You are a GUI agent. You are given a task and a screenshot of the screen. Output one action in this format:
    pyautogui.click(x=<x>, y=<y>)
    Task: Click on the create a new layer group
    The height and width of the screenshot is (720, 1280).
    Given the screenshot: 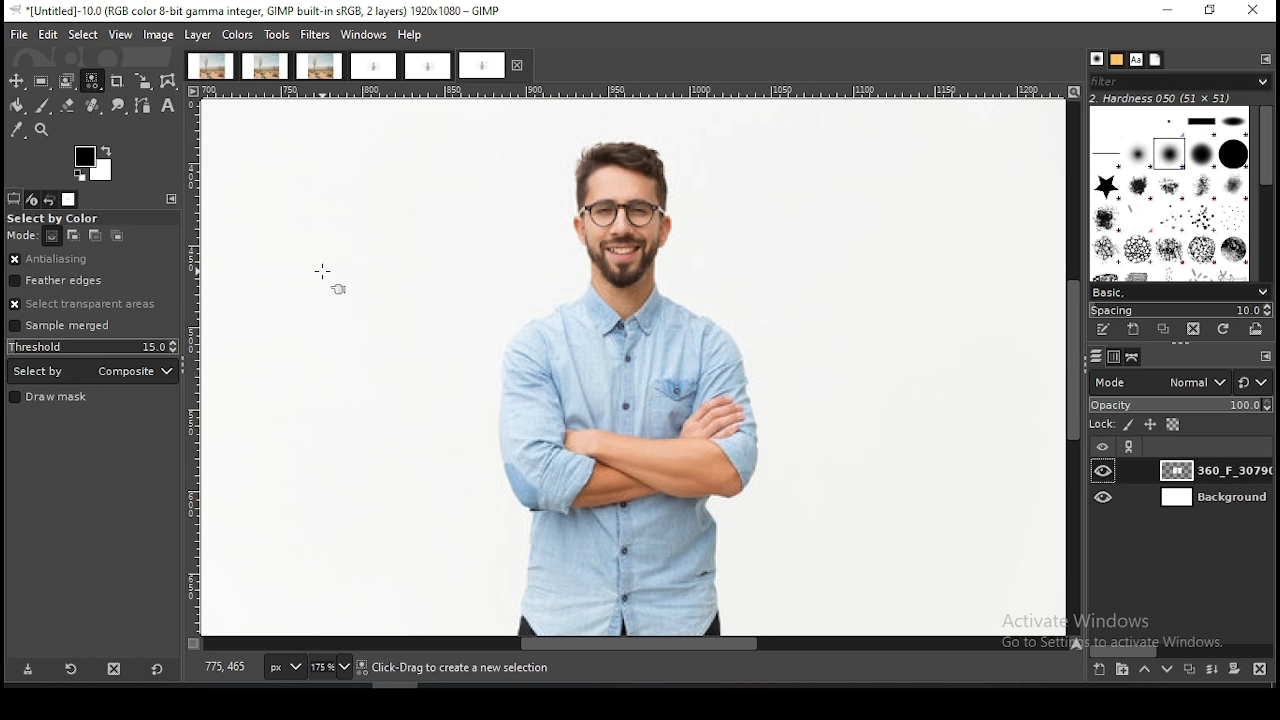 What is the action you would take?
    pyautogui.click(x=1121, y=668)
    